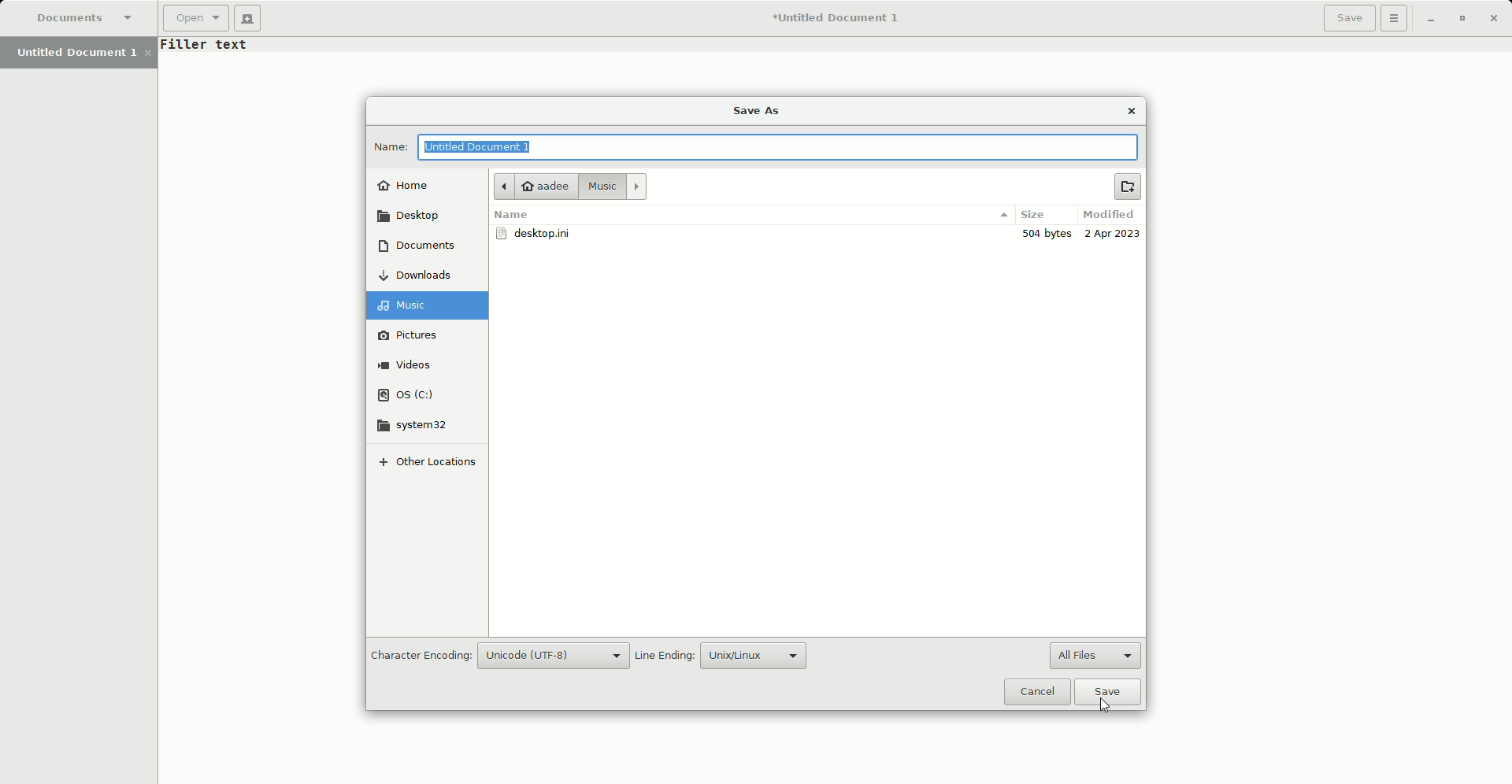 This screenshot has height=784, width=1512. I want to click on All Files, so click(1098, 655).